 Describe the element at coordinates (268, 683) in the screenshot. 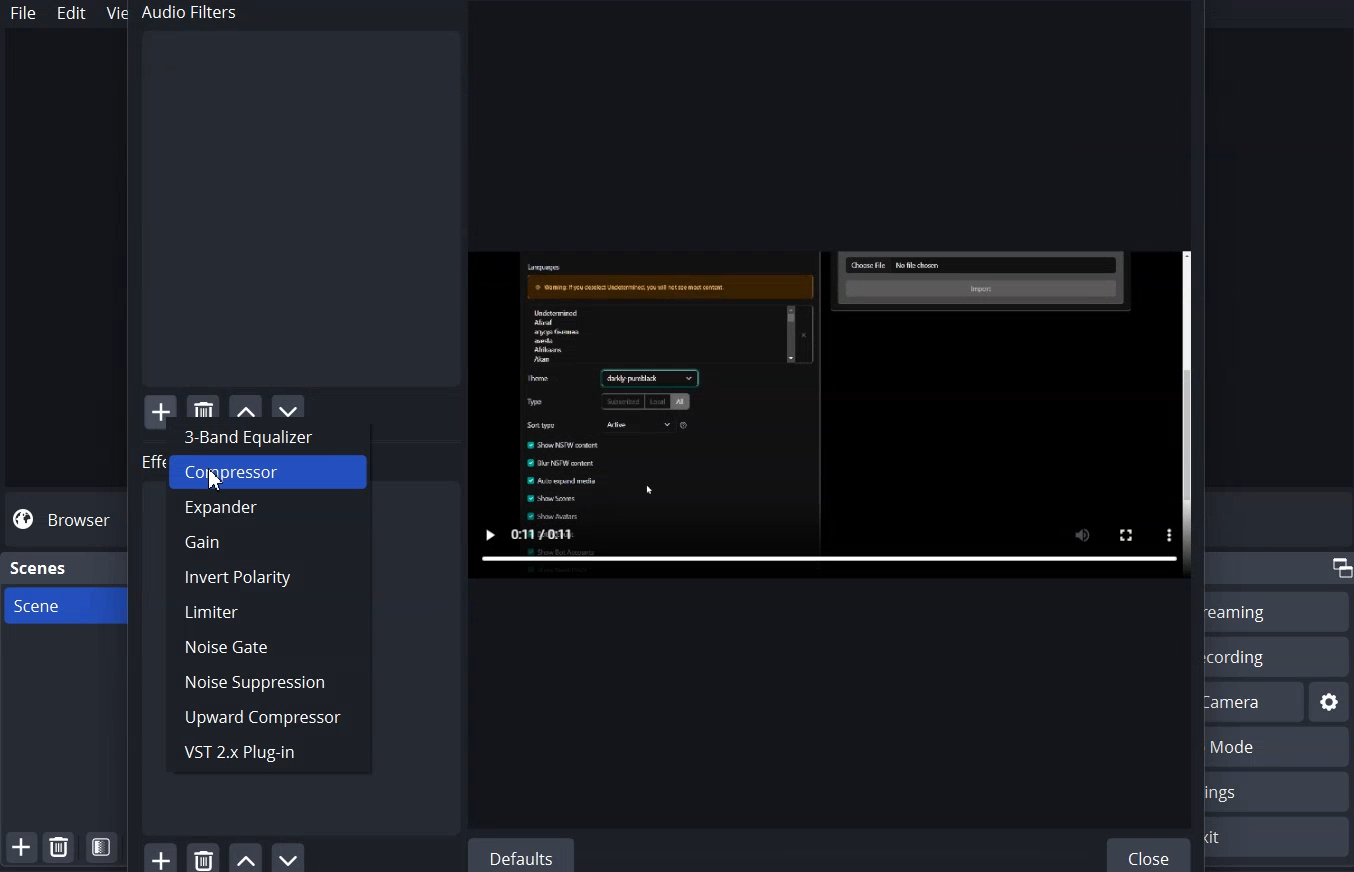

I see `Noise Suppression` at that location.